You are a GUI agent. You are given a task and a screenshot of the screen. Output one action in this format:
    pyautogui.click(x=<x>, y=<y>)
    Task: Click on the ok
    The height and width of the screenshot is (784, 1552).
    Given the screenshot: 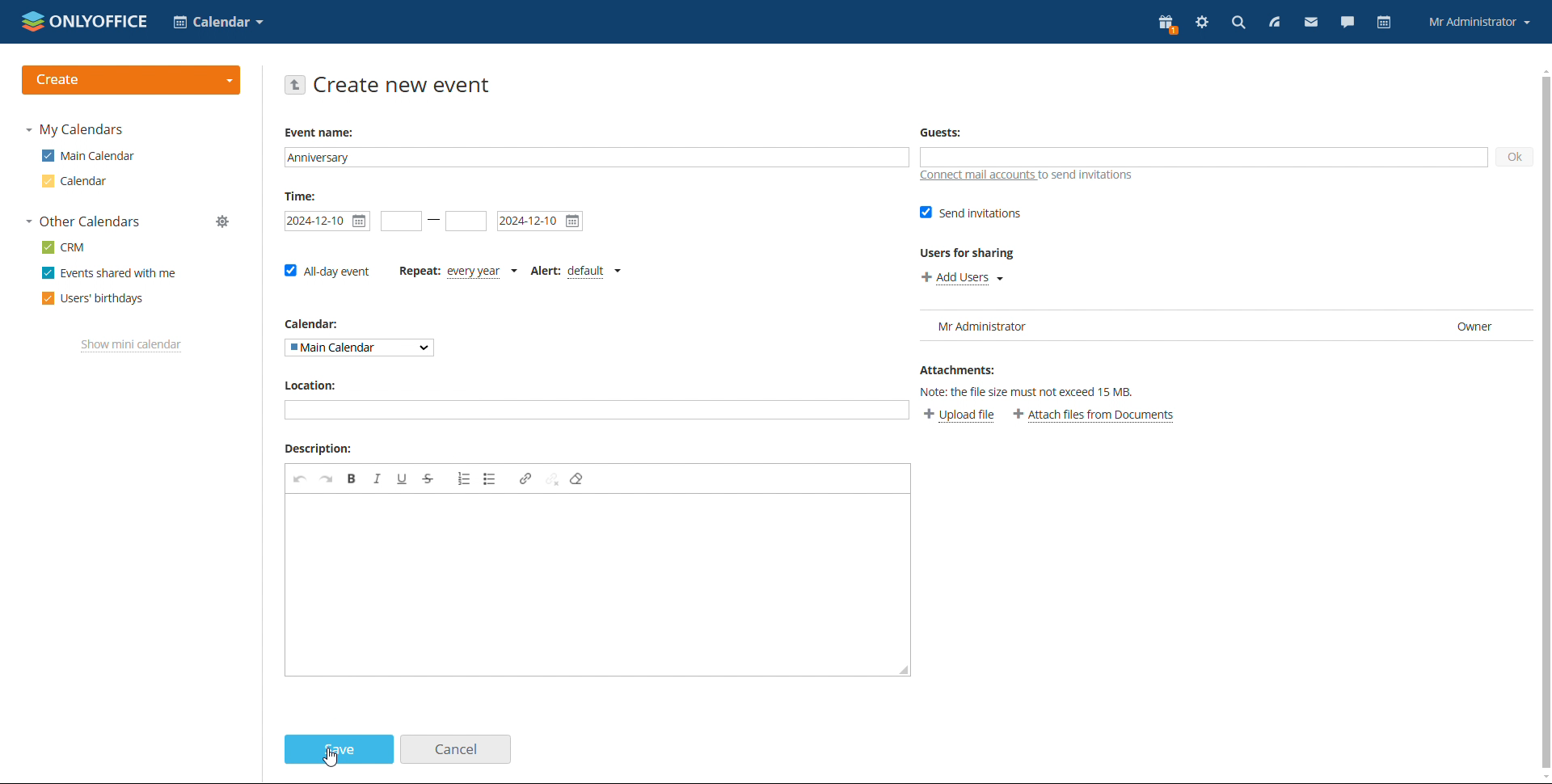 What is the action you would take?
    pyautogui.click(x=1514, y=157)
    